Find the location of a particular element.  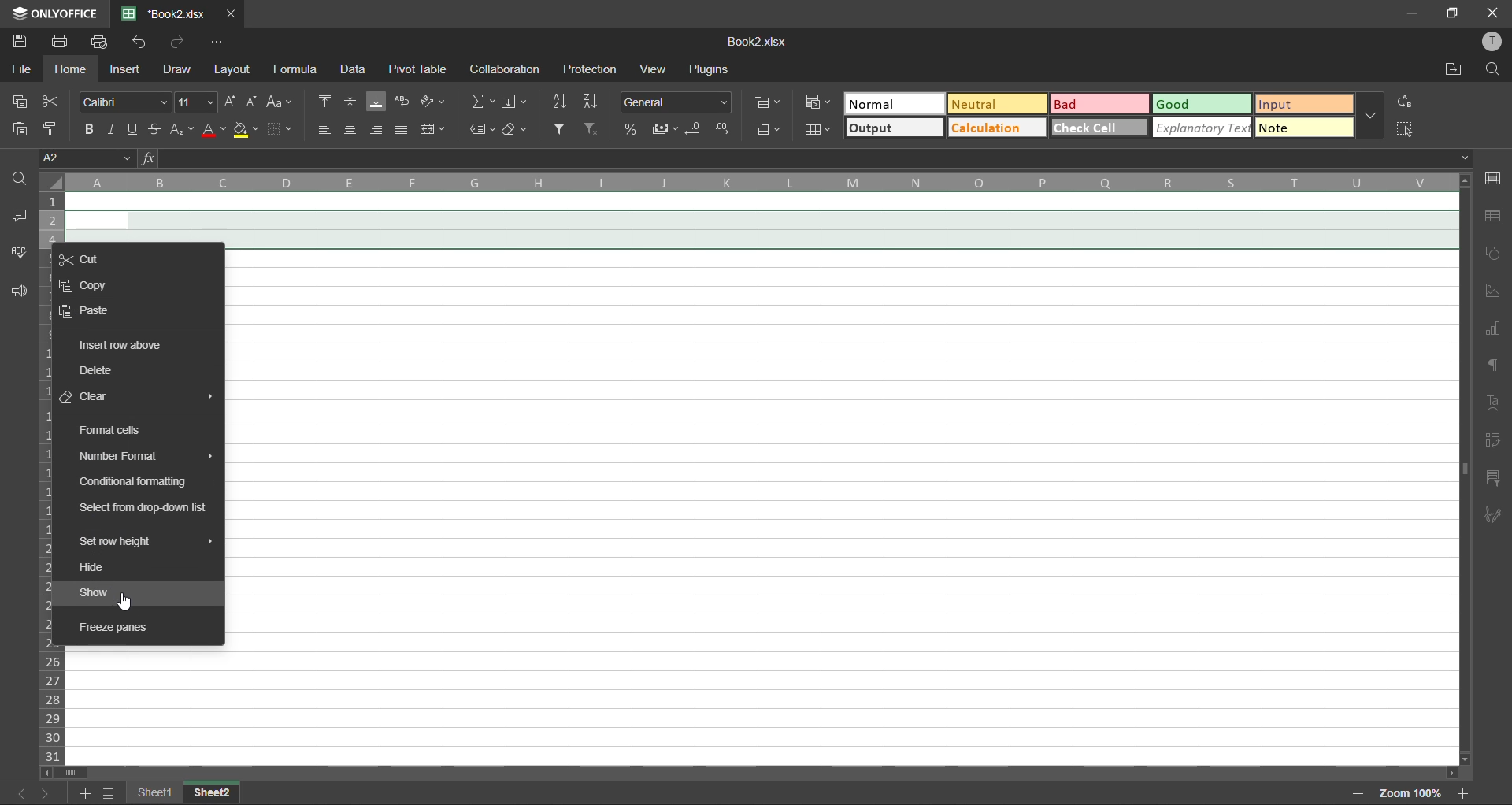

copy is located at coordinates (22, 99).